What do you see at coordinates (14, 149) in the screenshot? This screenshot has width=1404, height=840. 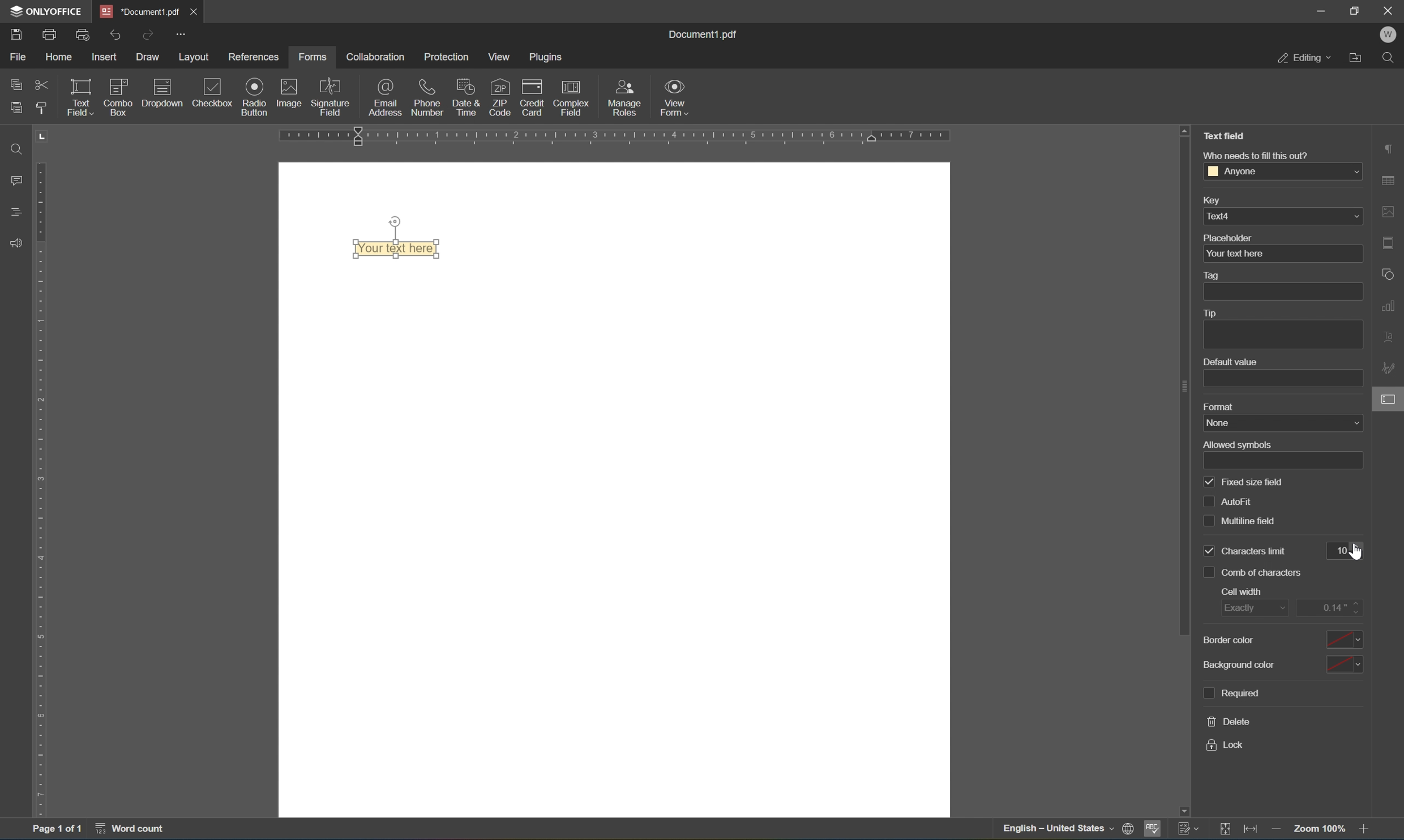 I see `find` at bounding box center [14, 149].